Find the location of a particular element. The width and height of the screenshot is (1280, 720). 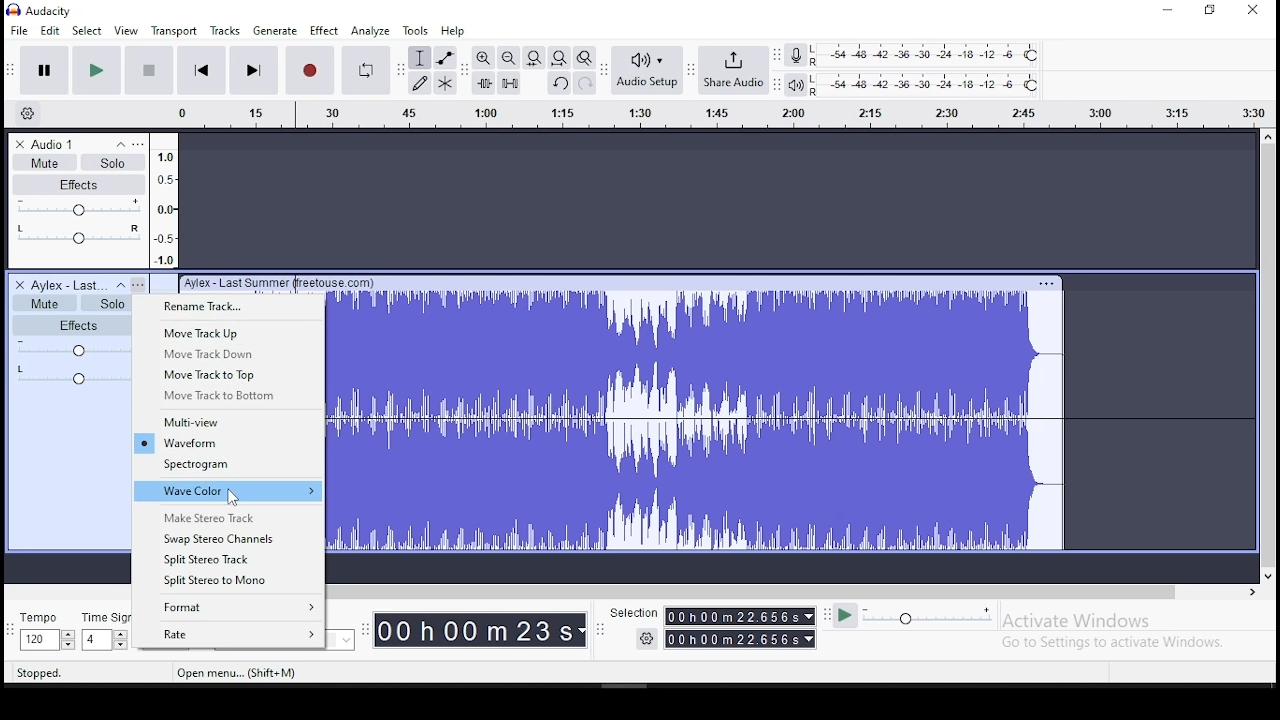

close window is located at coordinates (1256, 9).